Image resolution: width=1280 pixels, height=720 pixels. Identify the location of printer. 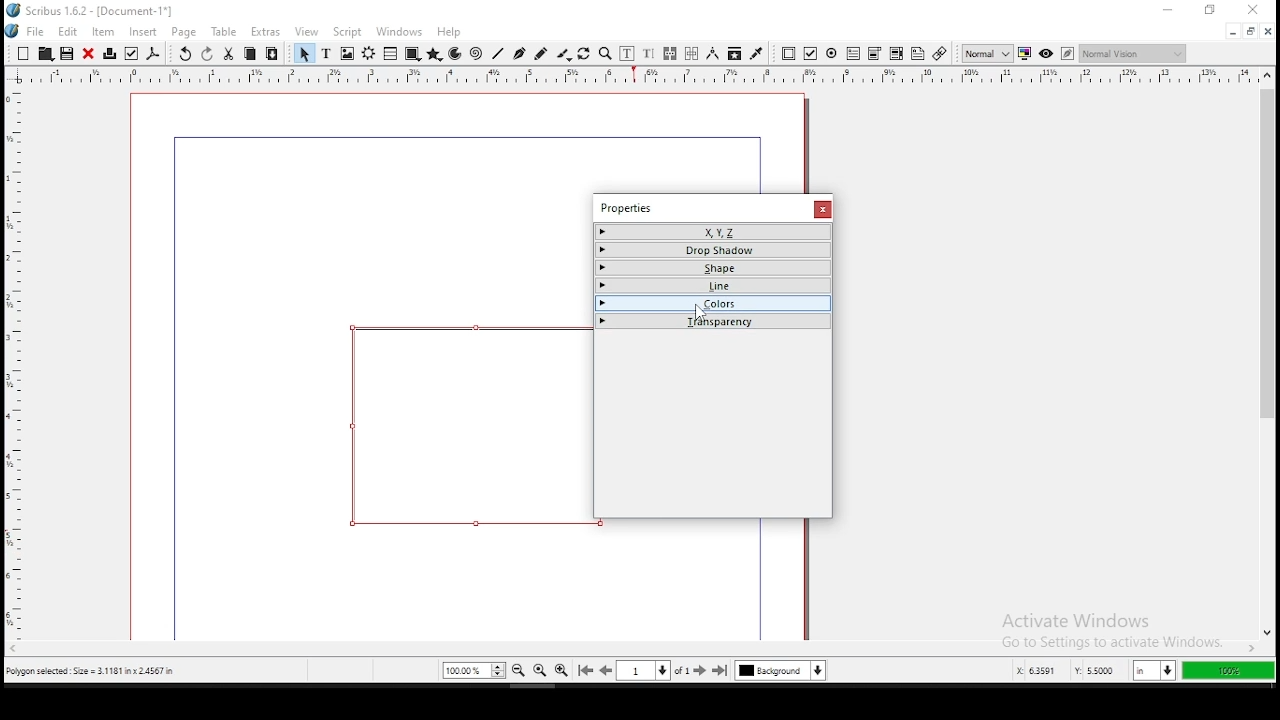
(109, 54).